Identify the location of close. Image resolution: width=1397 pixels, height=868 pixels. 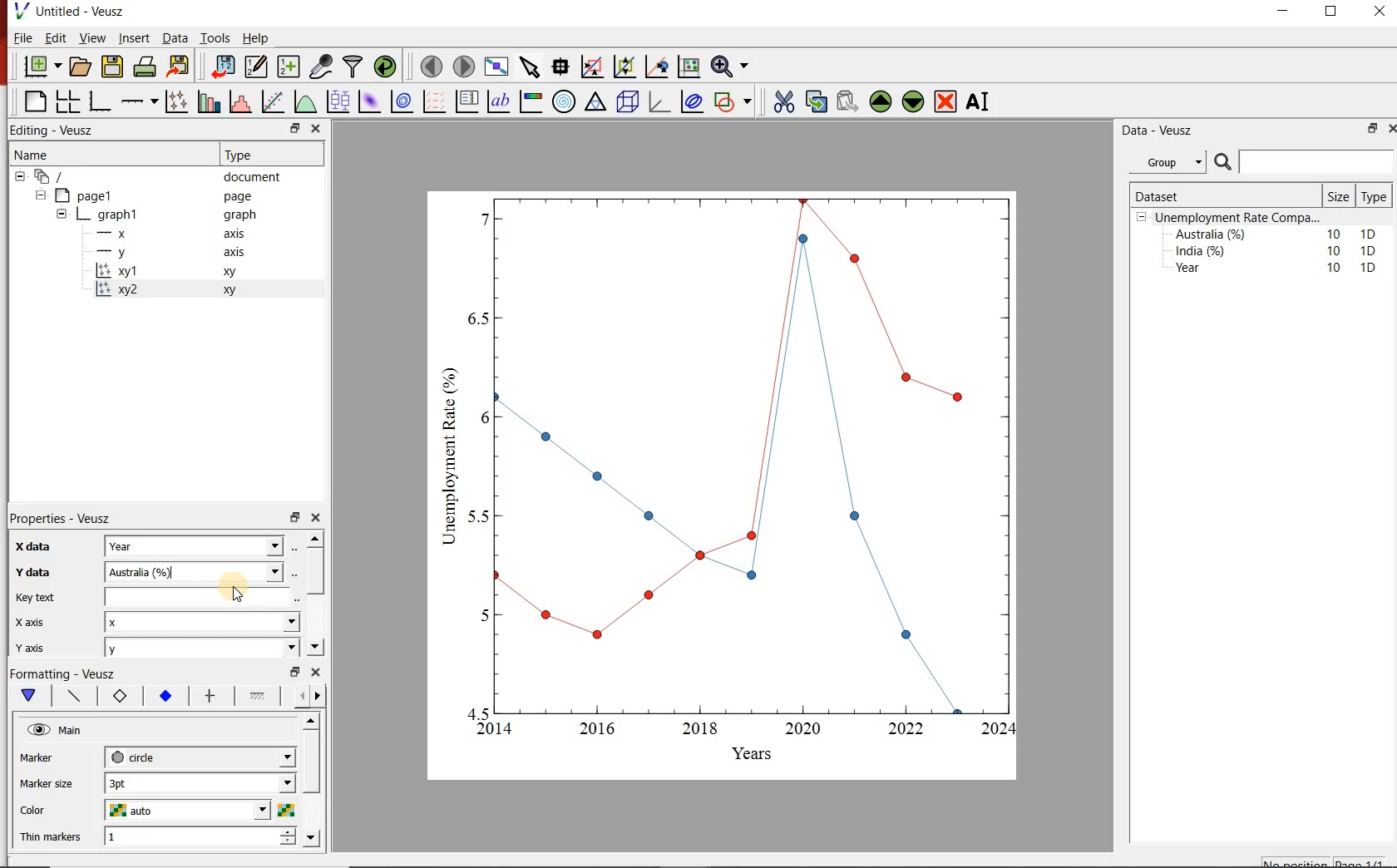
(317, 672).